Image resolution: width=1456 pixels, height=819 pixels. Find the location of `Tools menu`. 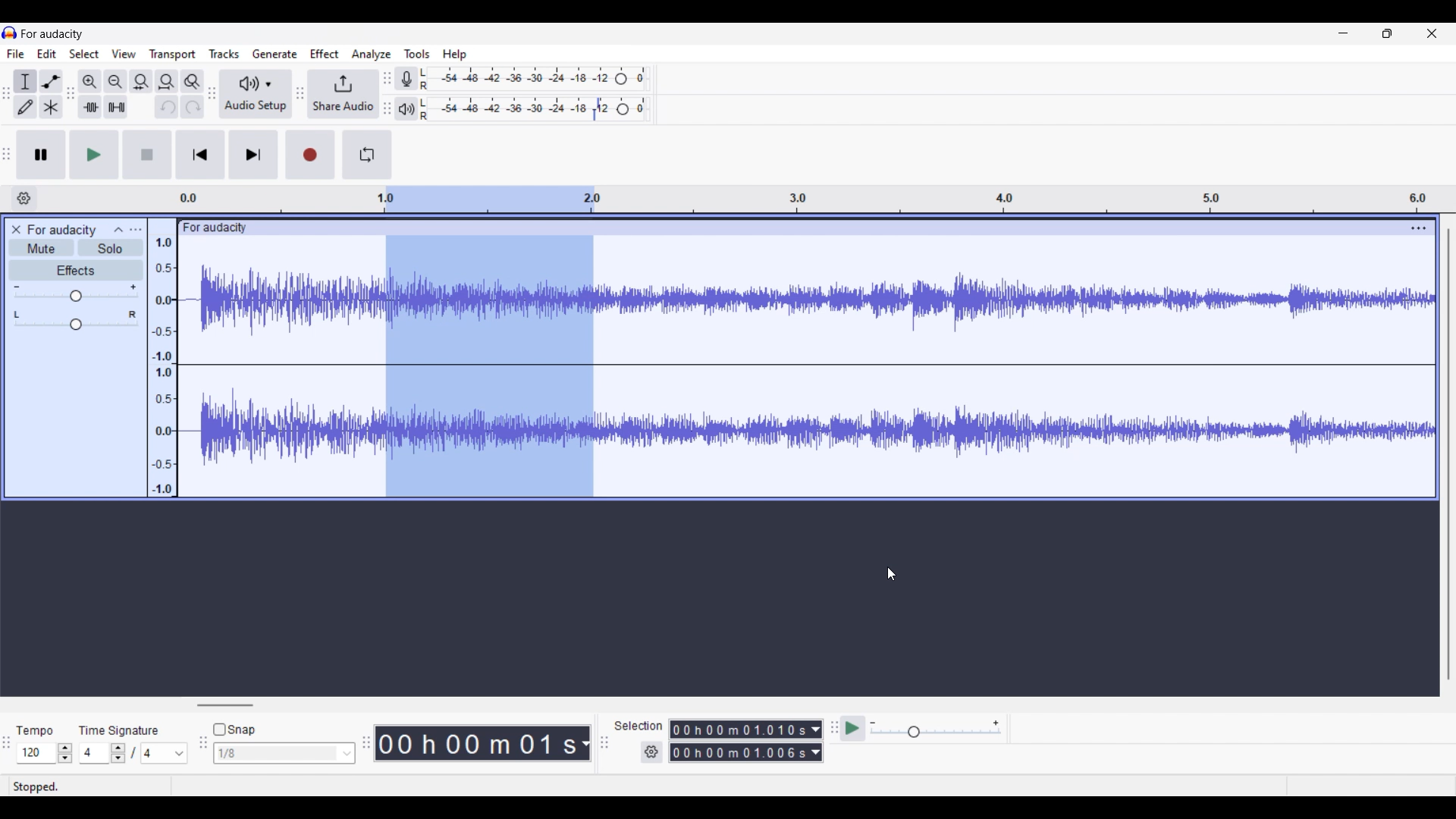

Tools menu is located at coordinates (417, 54).